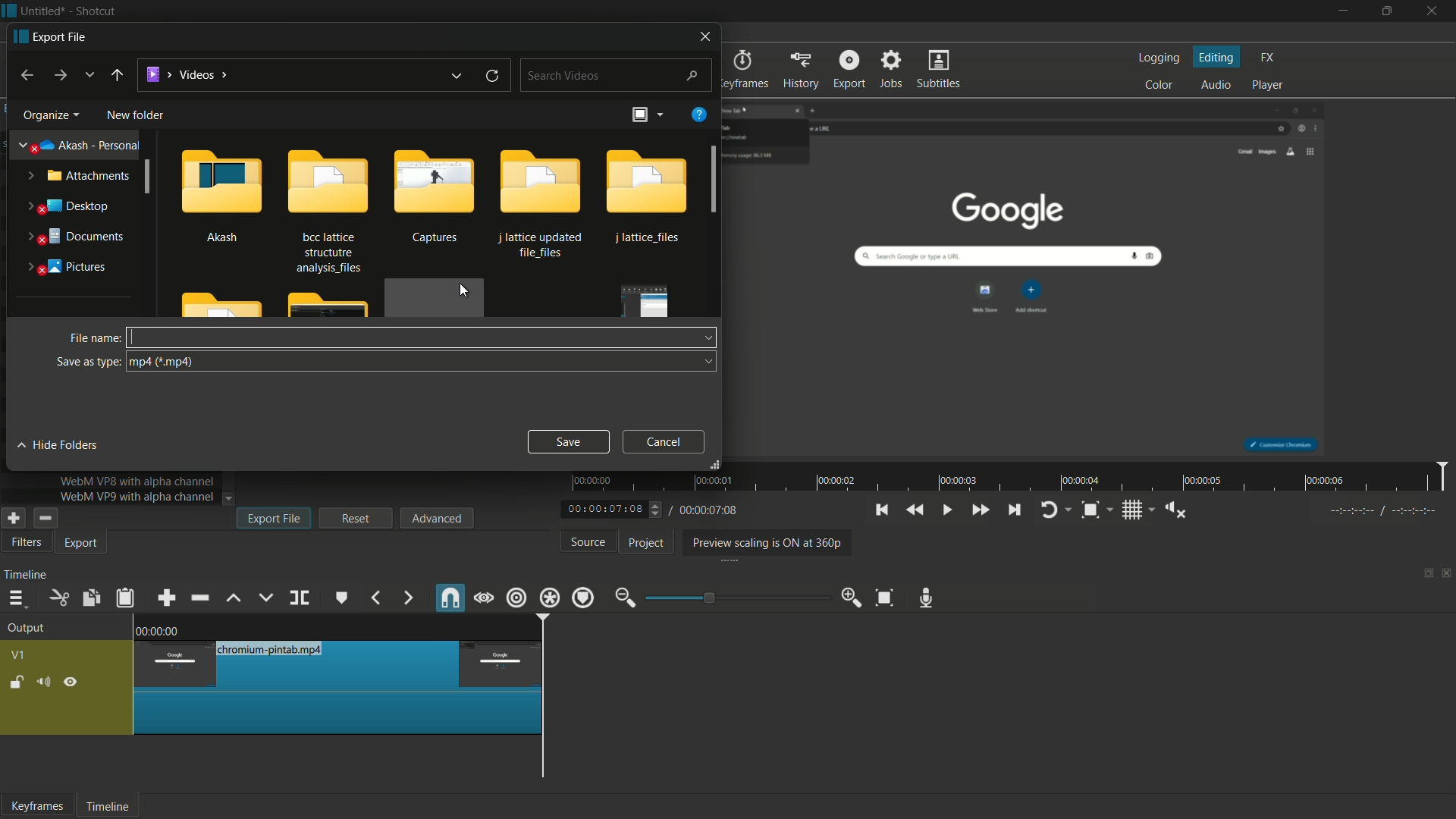 This screenshot has width=1456, height=819. Describe the element at coordinates (202, 598) in the screenshot. I see `ripple delete` at that location.